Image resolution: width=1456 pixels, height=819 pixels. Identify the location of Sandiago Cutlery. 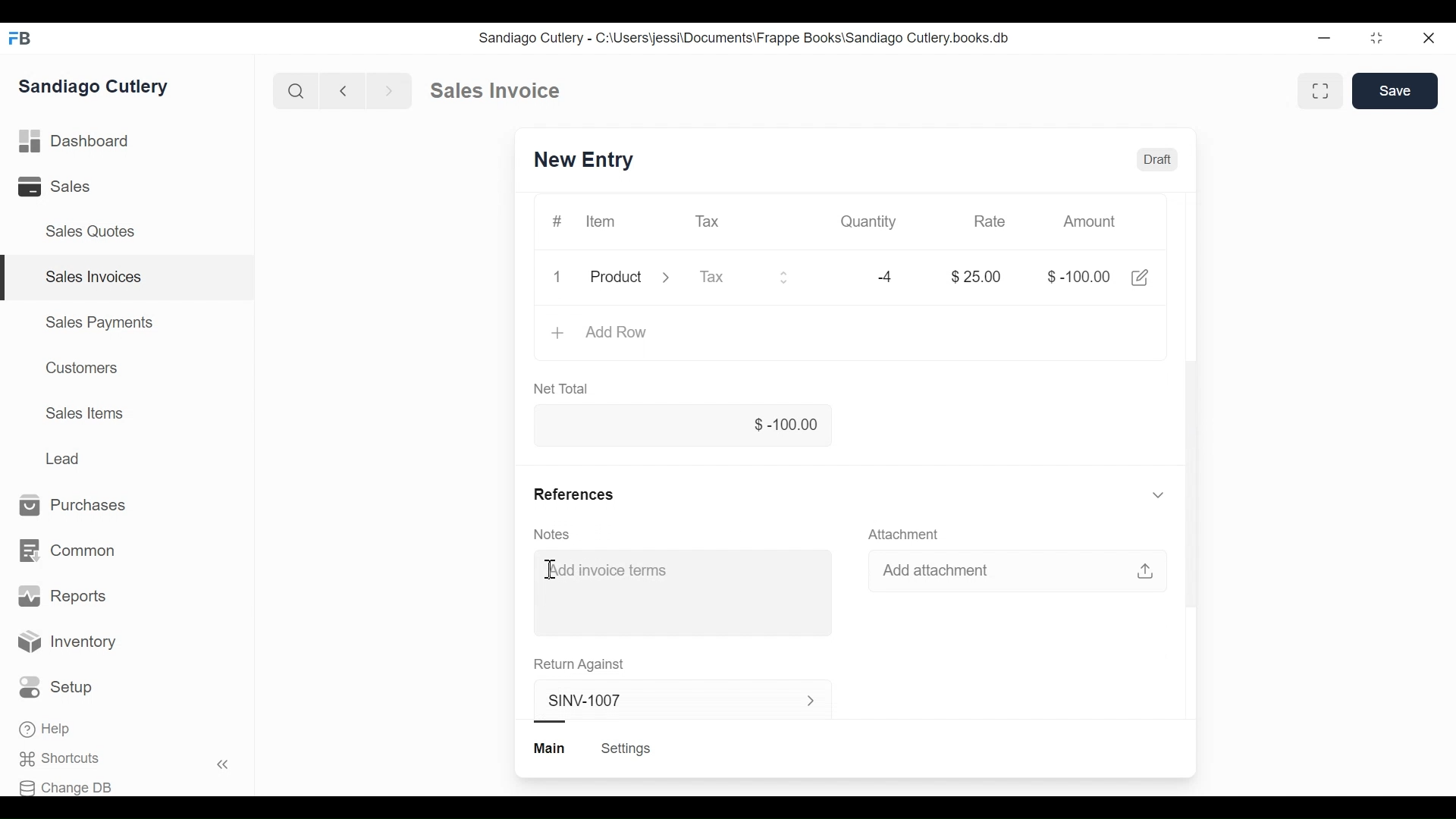
(94, 85).